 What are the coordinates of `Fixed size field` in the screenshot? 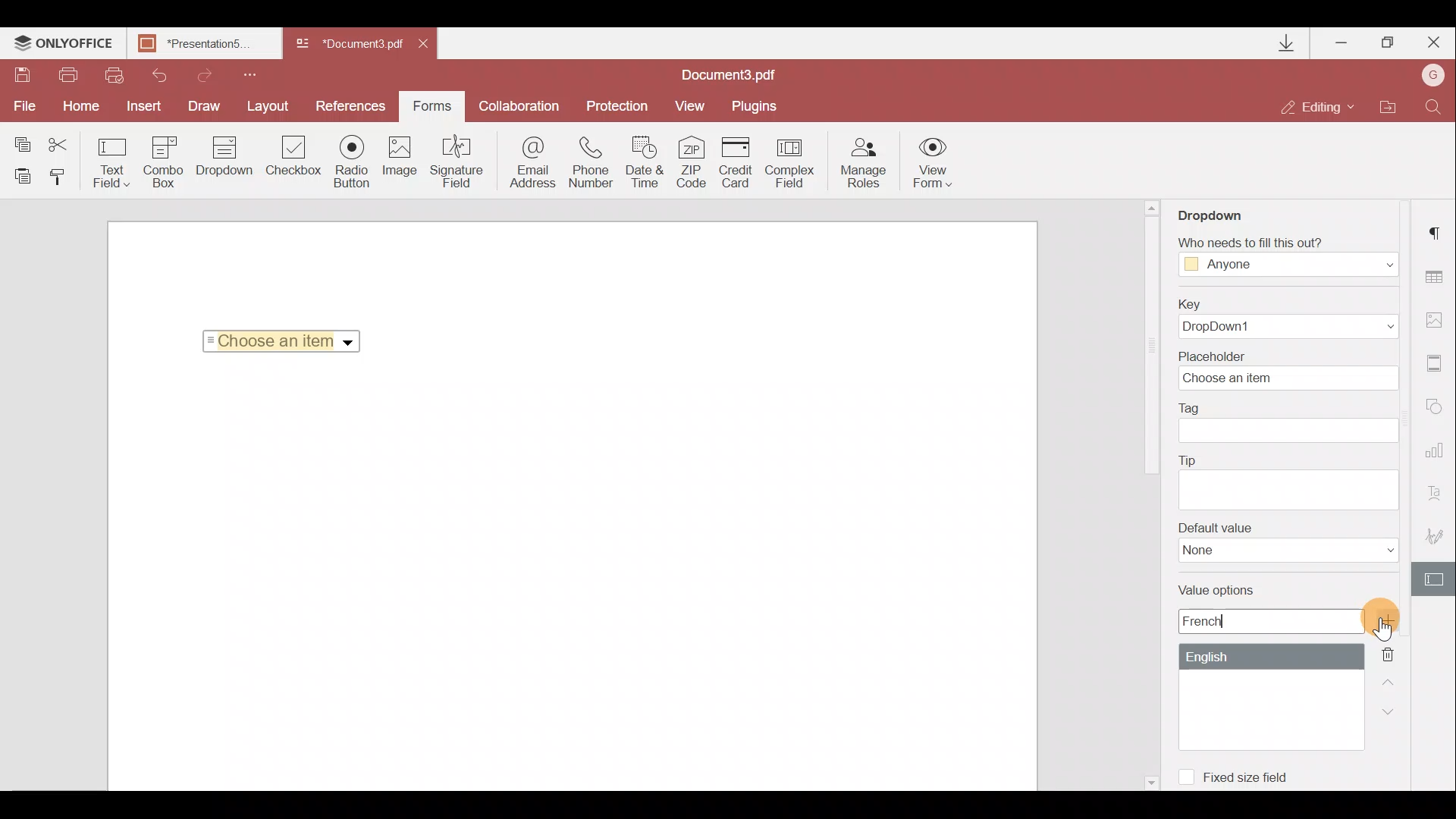 It's located at (1241, 774).